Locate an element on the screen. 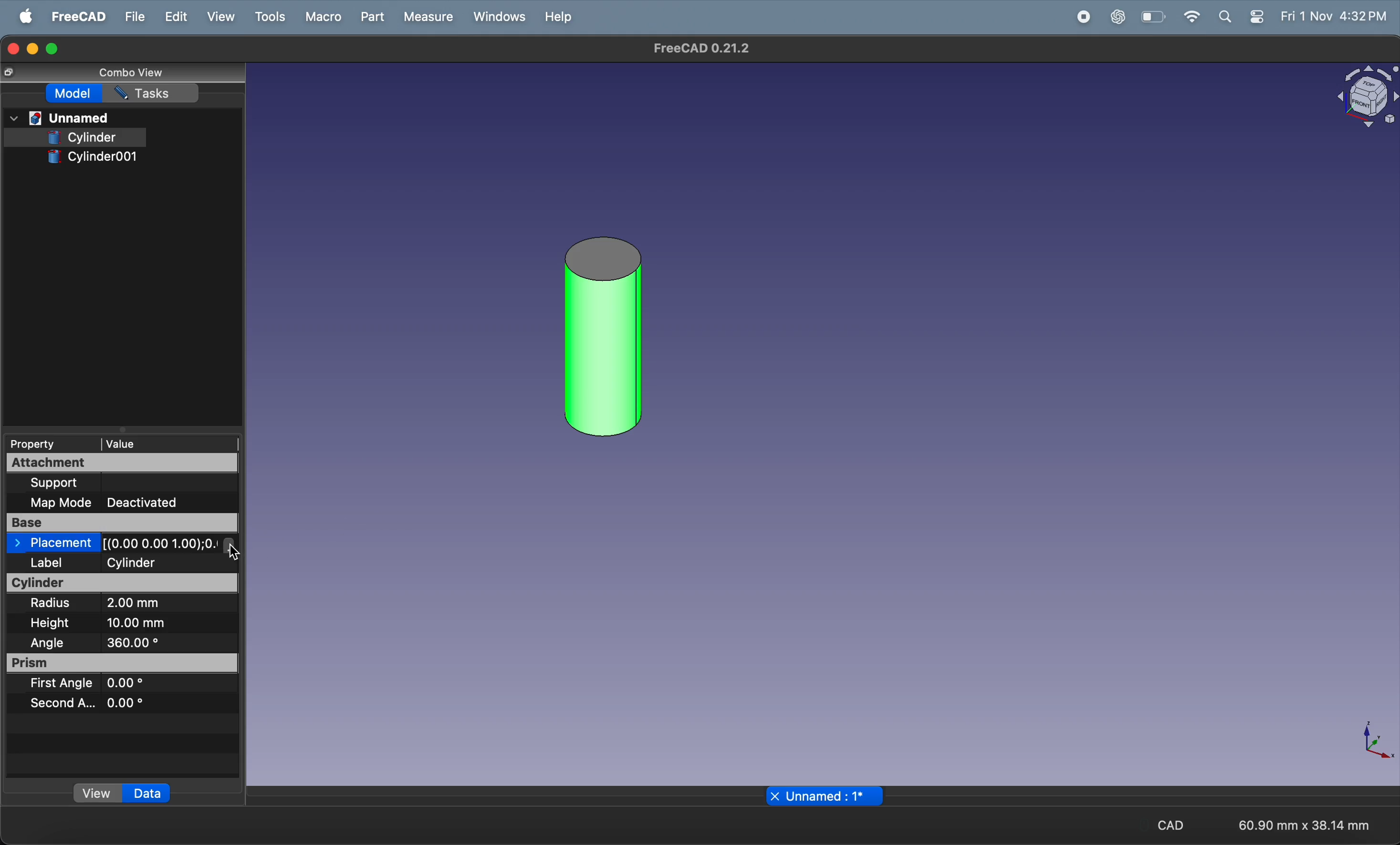 The width and height of the screenshot is (1400, 845). view is located at coordinates (215, 17).